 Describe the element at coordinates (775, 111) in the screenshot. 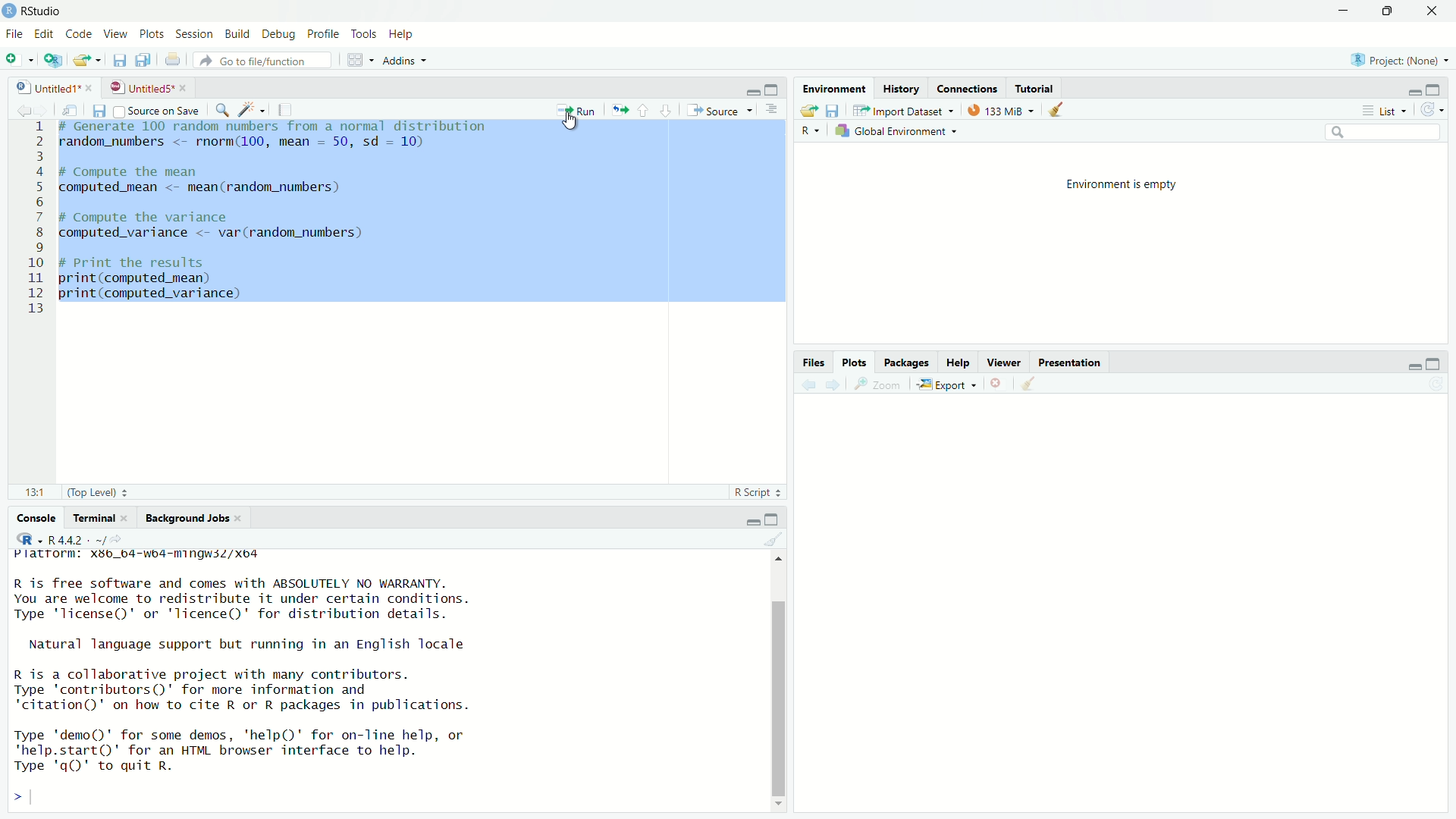

I see `hide document online` at that location.